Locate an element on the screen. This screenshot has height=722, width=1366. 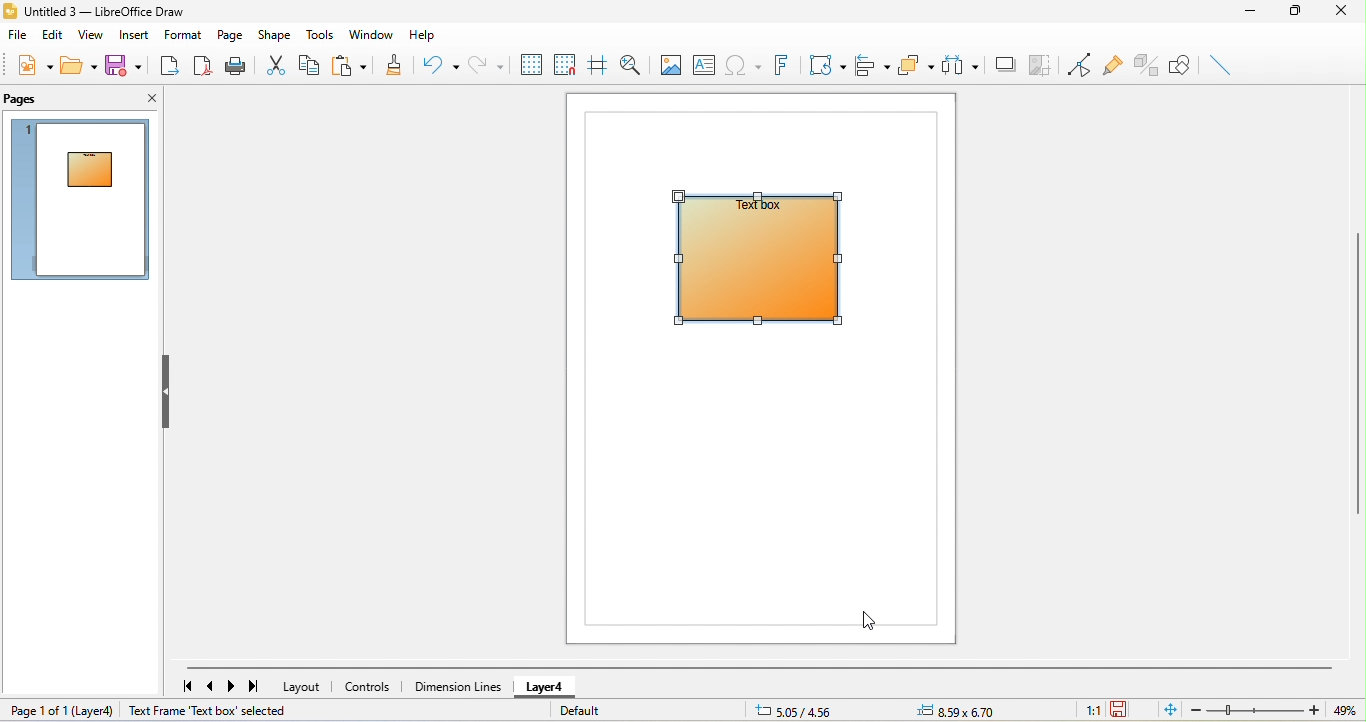
fit to the current page is located at coordinates (1171, 711).